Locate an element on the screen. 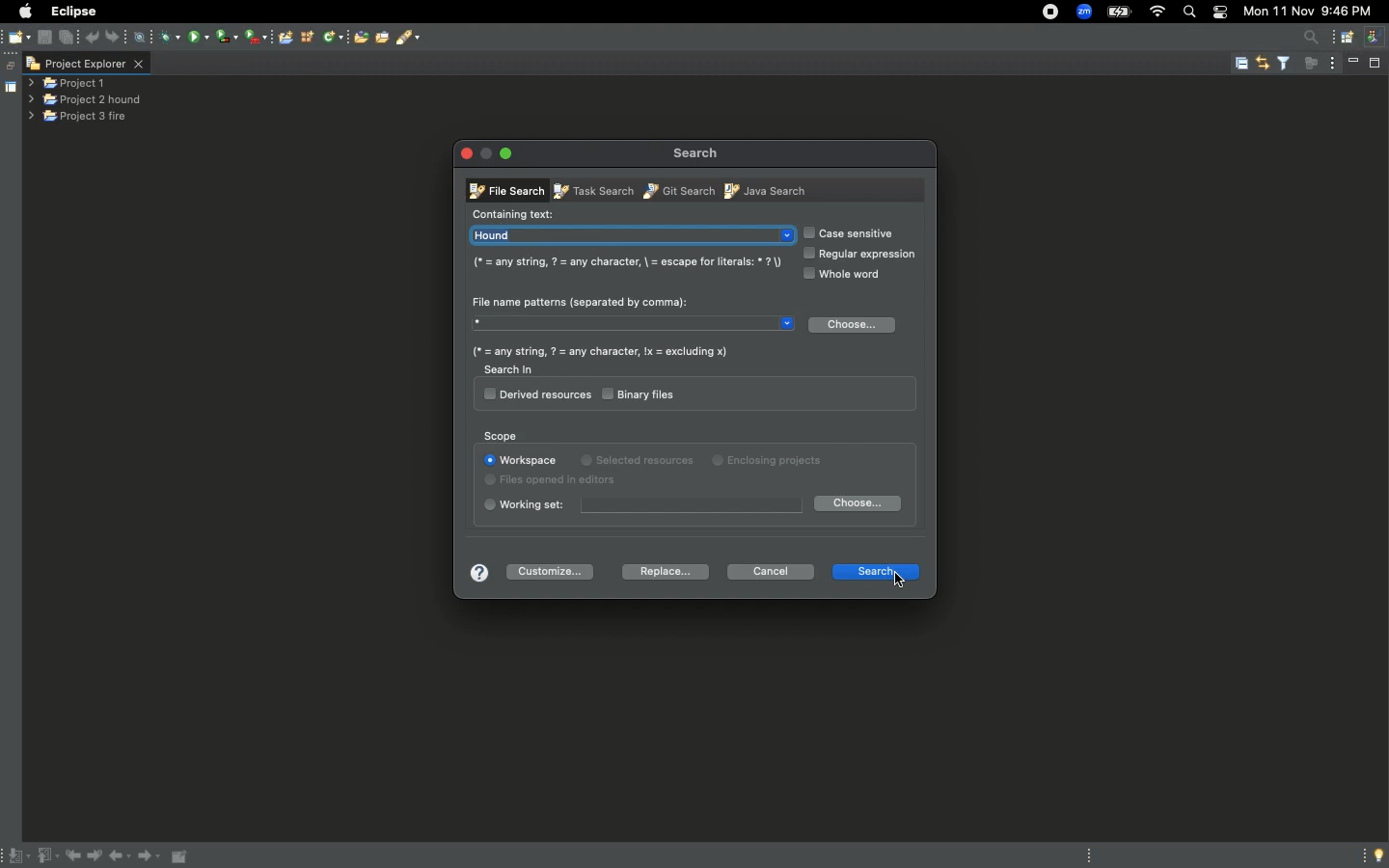  zoom is located at coordinates (1085, 13).